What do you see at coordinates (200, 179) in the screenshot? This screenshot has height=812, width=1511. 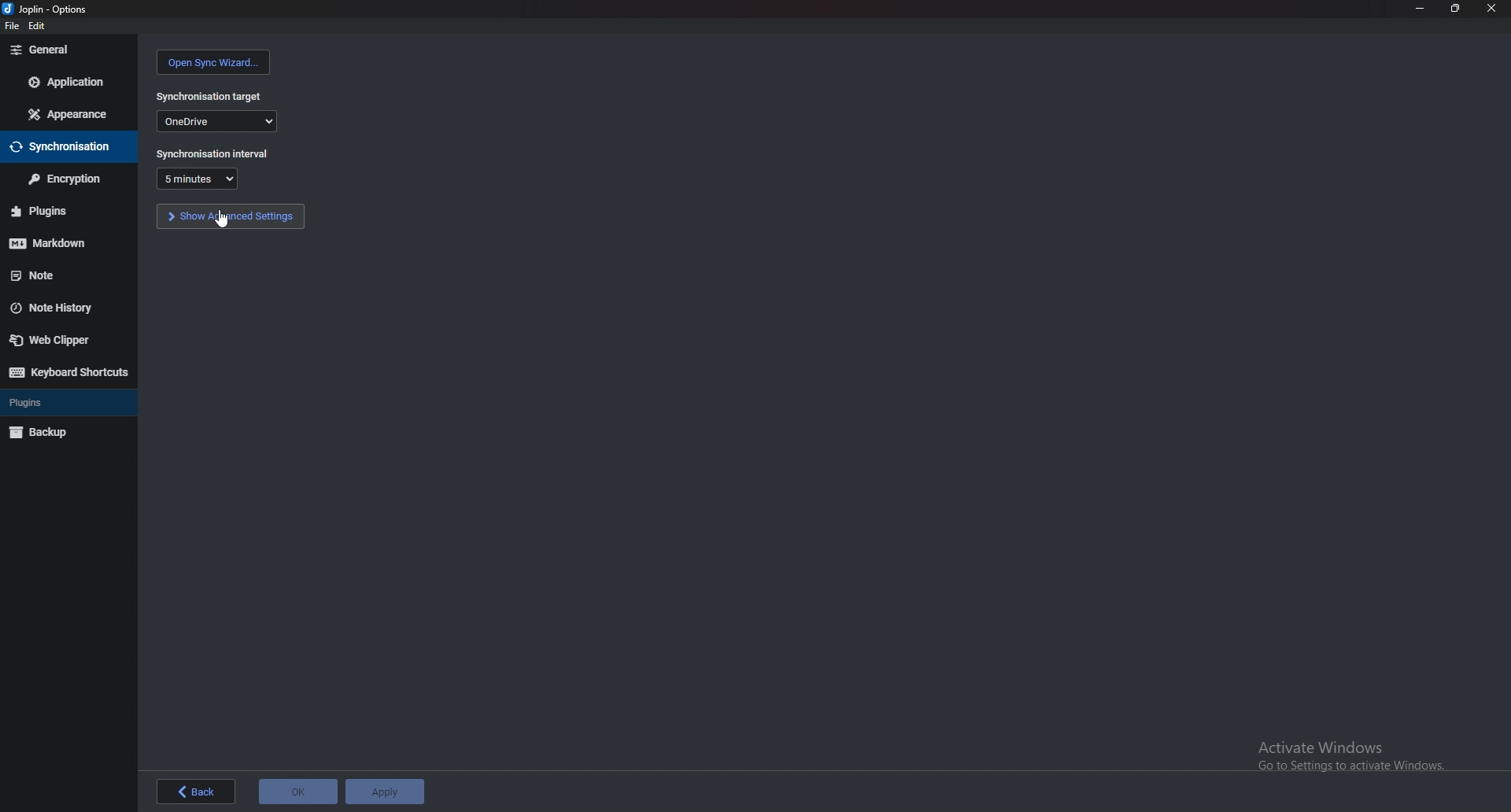 I see `5 minutes` at bounding box center [200, 179].